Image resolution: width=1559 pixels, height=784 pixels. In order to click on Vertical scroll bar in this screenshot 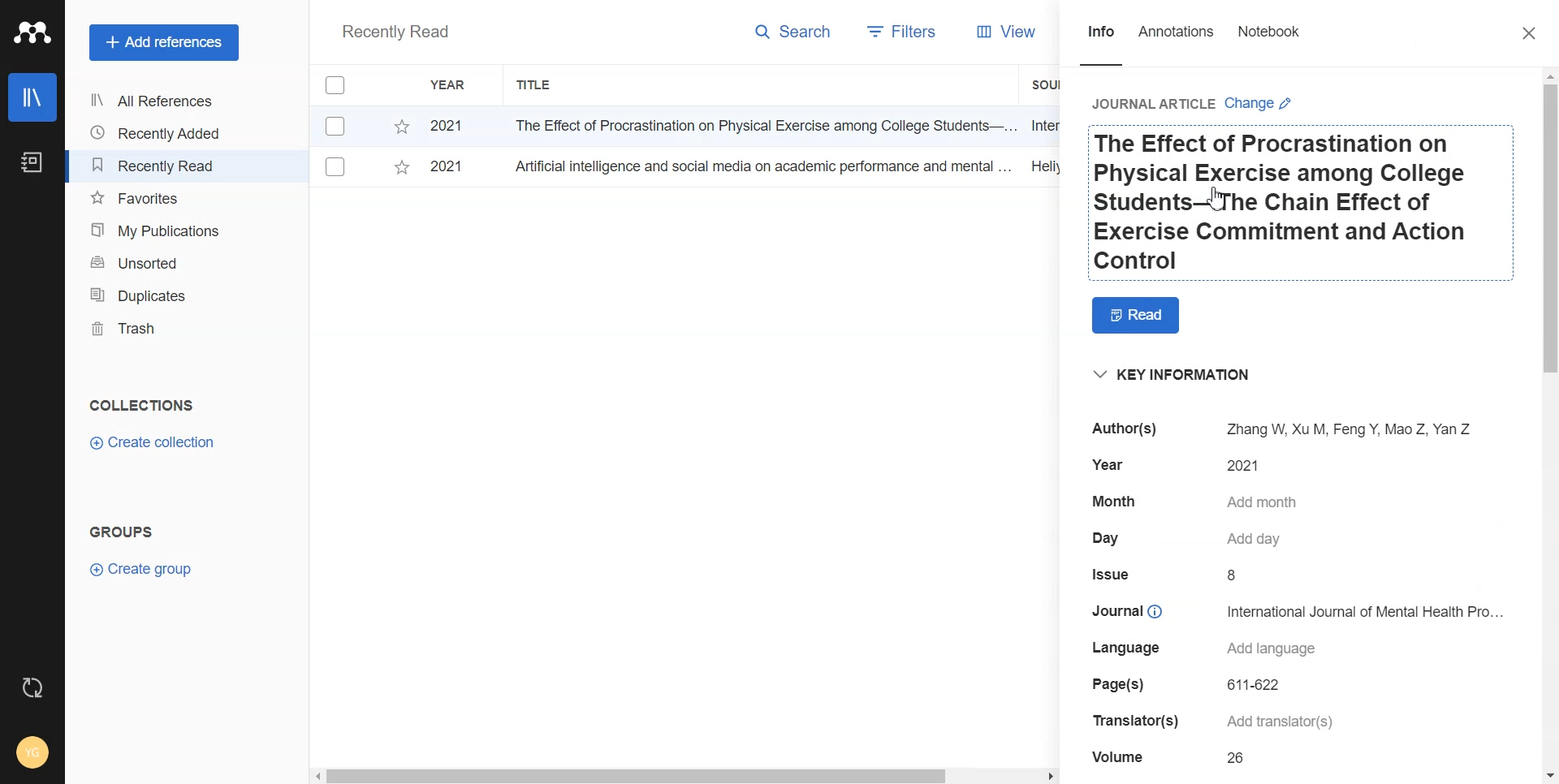, I will do `click(1549, 426)`.